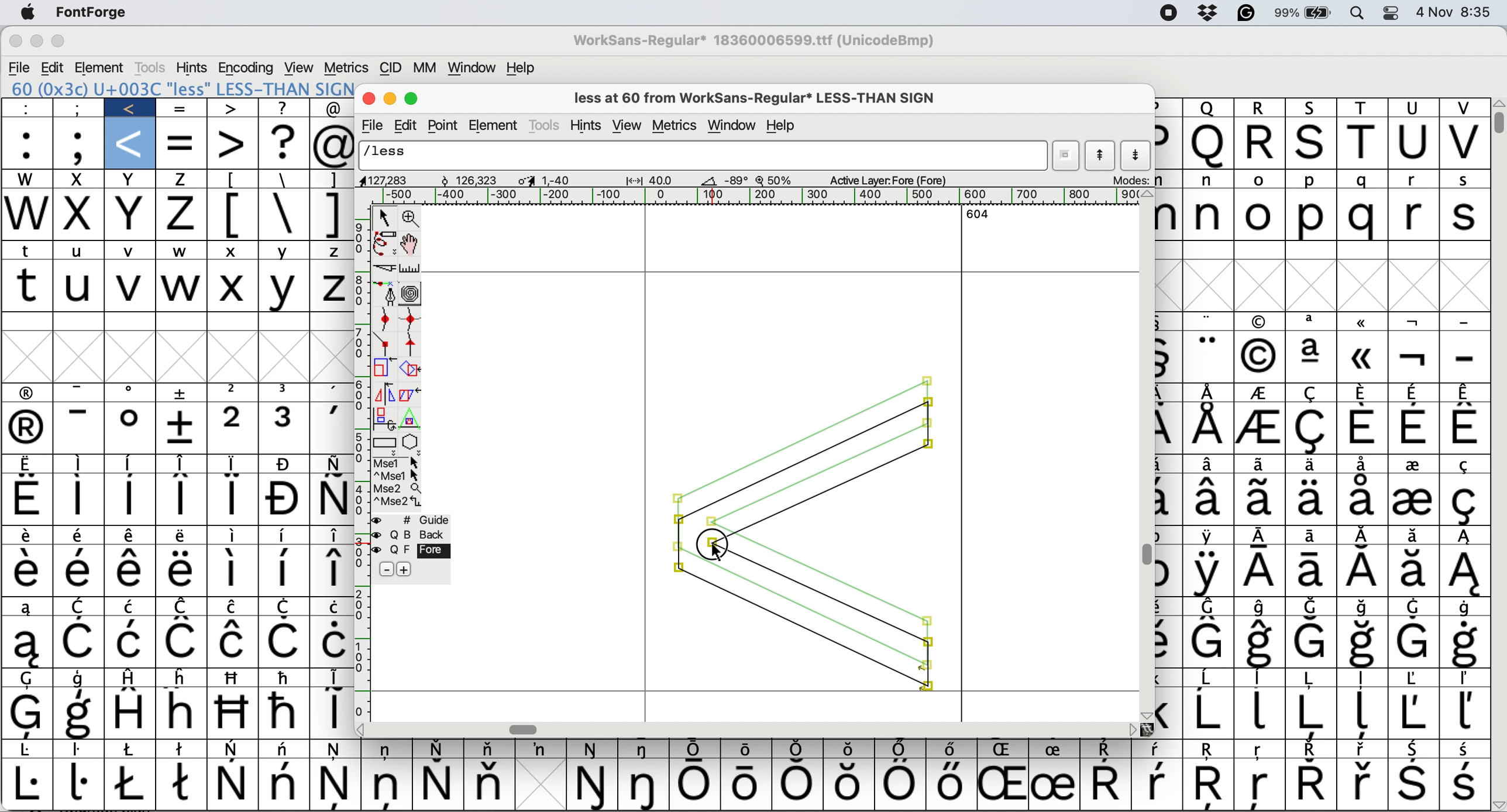 This screenshot has width=1507, height=812. I want to click on rotate selection in 3d and project it back to plane, so click(383, 417).